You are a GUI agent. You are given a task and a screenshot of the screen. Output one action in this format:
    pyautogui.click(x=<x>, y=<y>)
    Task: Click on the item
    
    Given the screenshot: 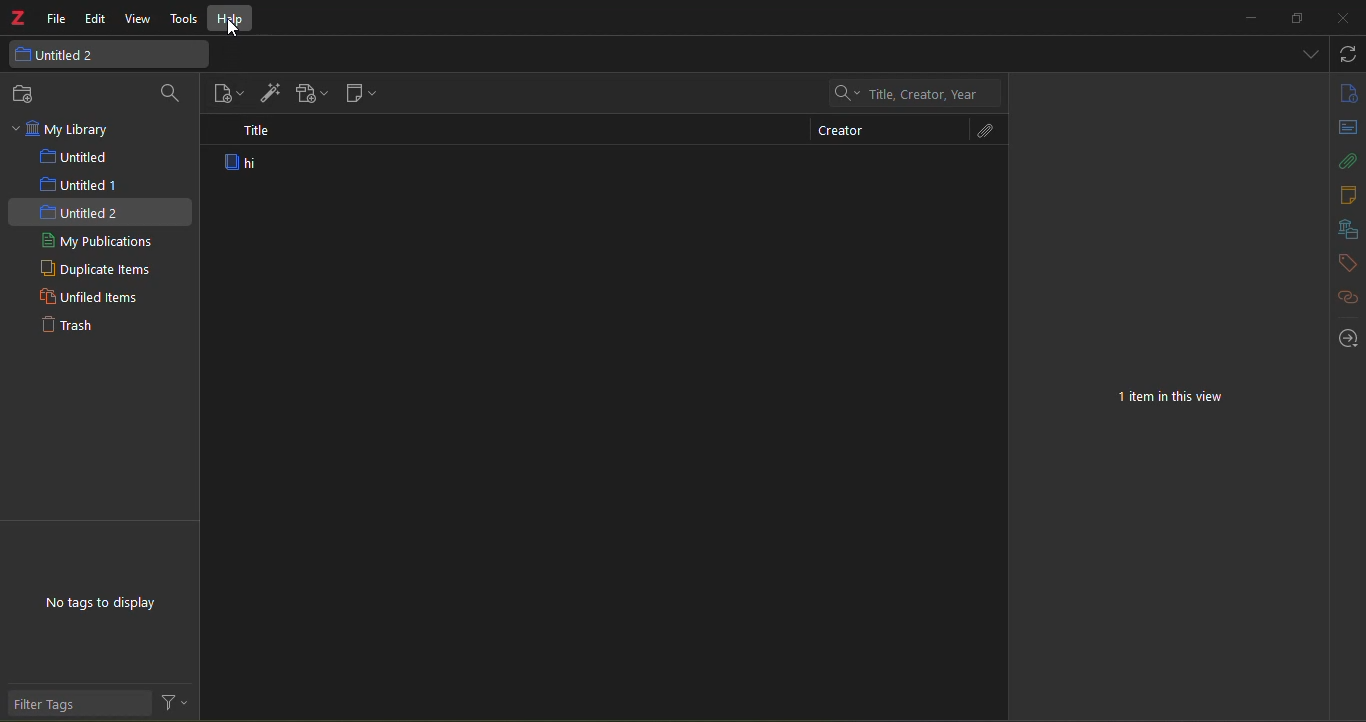 What is the action you would take?
    pyautogui.click(x=246, y=164)
    